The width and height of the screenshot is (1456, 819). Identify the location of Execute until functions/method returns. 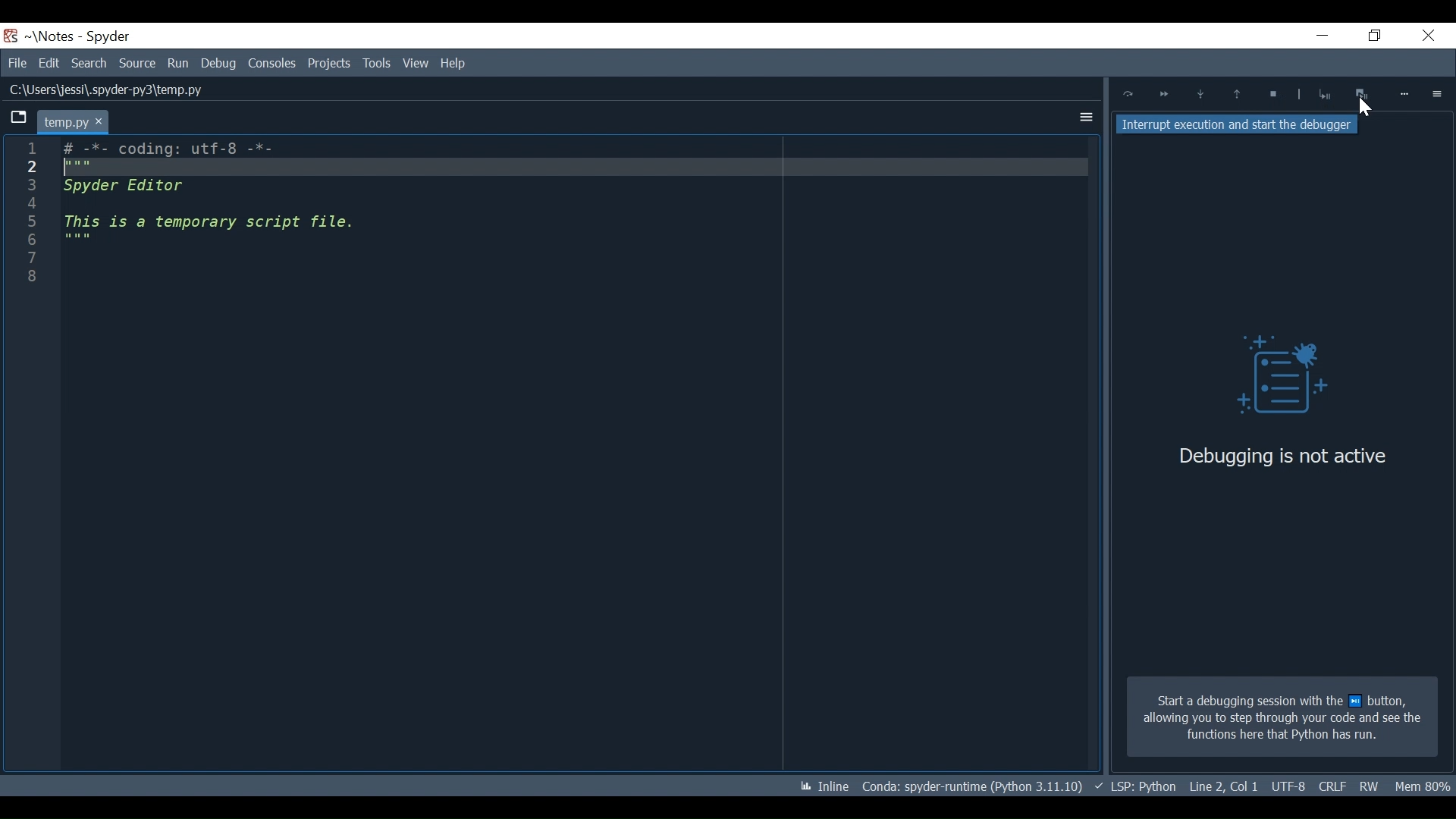
(1238, 96).